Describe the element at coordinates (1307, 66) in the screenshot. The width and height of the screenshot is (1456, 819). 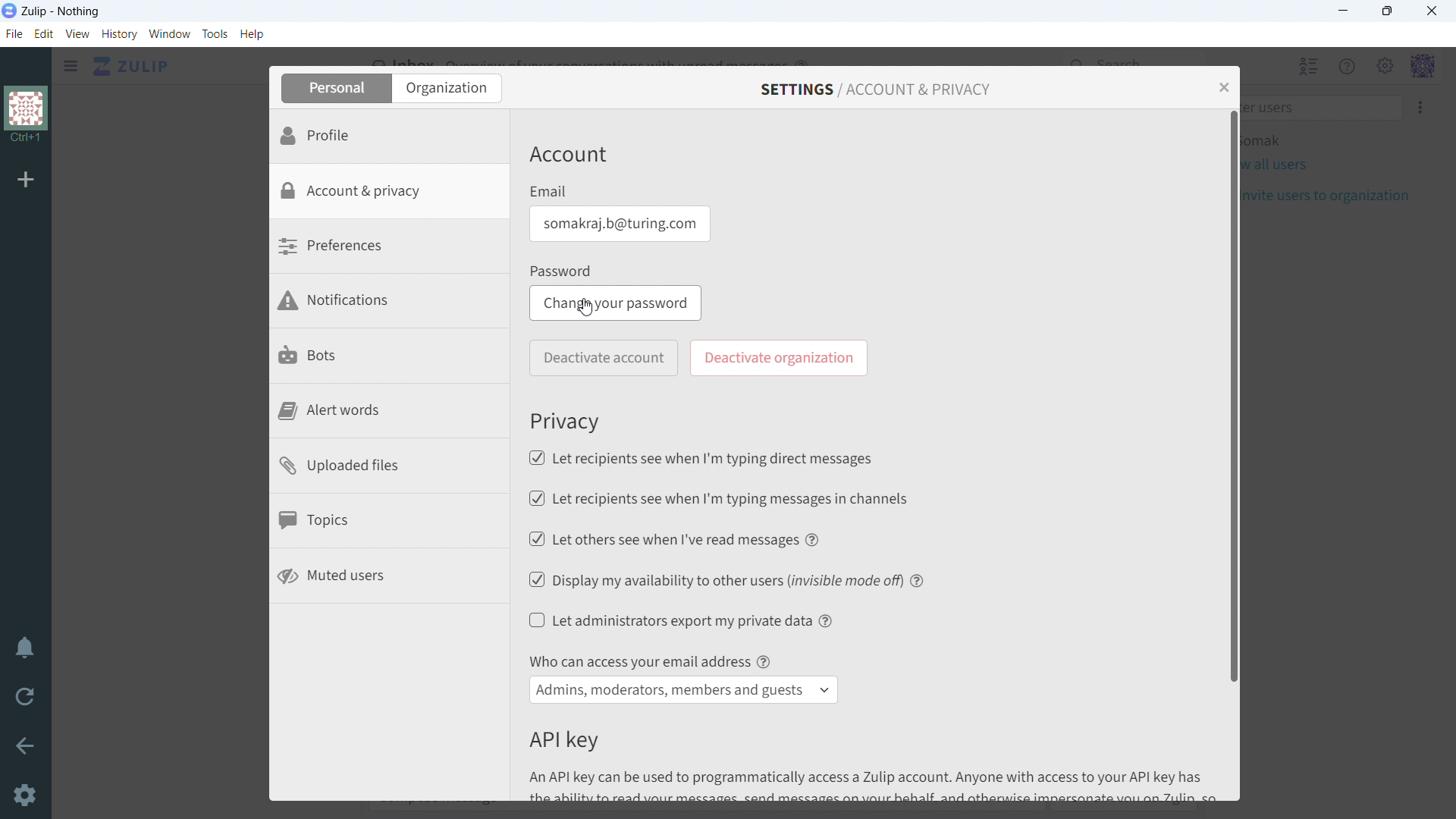
I see `hide all users` at that location.